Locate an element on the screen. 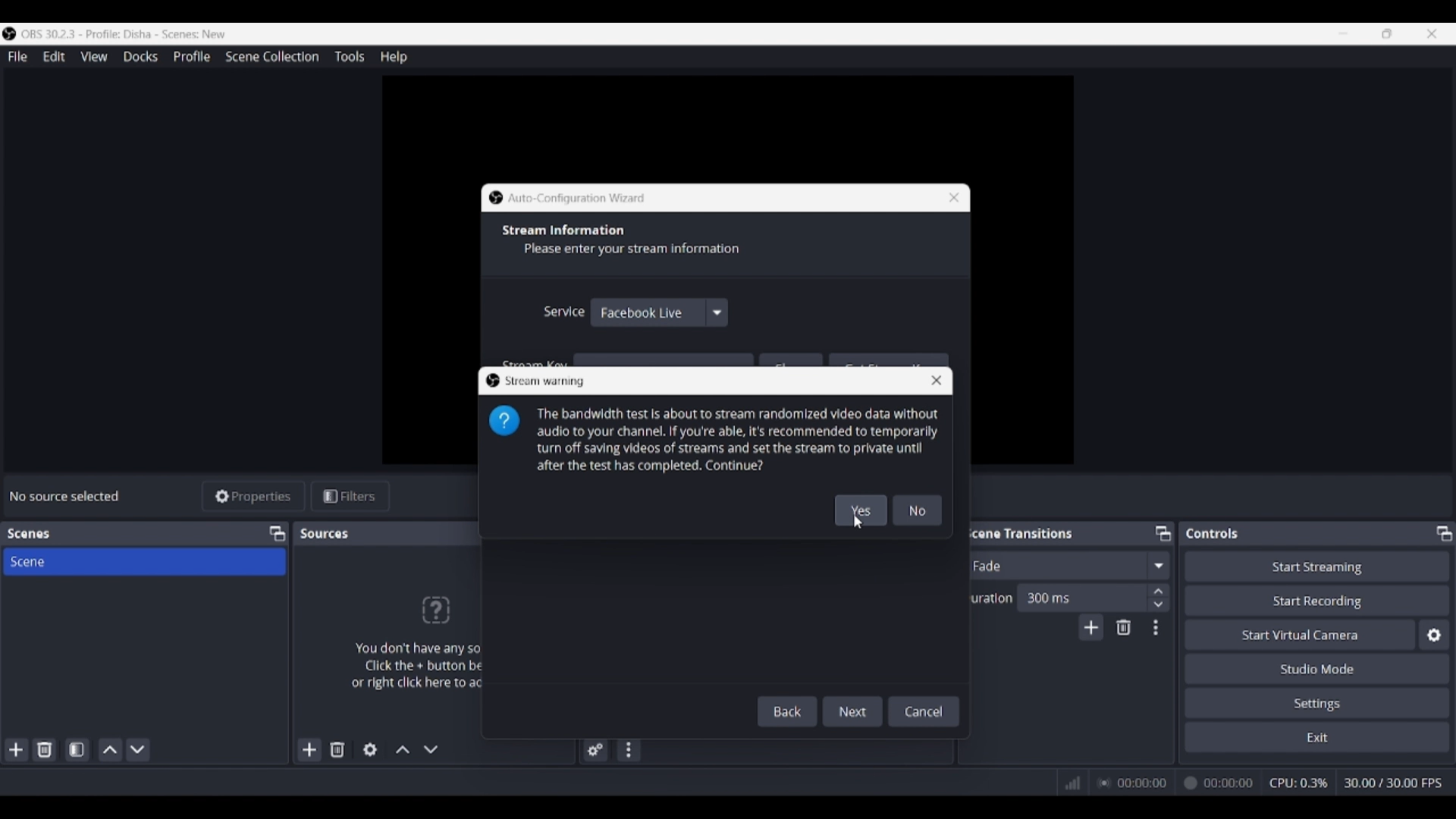  Float Scene transitions panel is located at coordinates (1163, 533).